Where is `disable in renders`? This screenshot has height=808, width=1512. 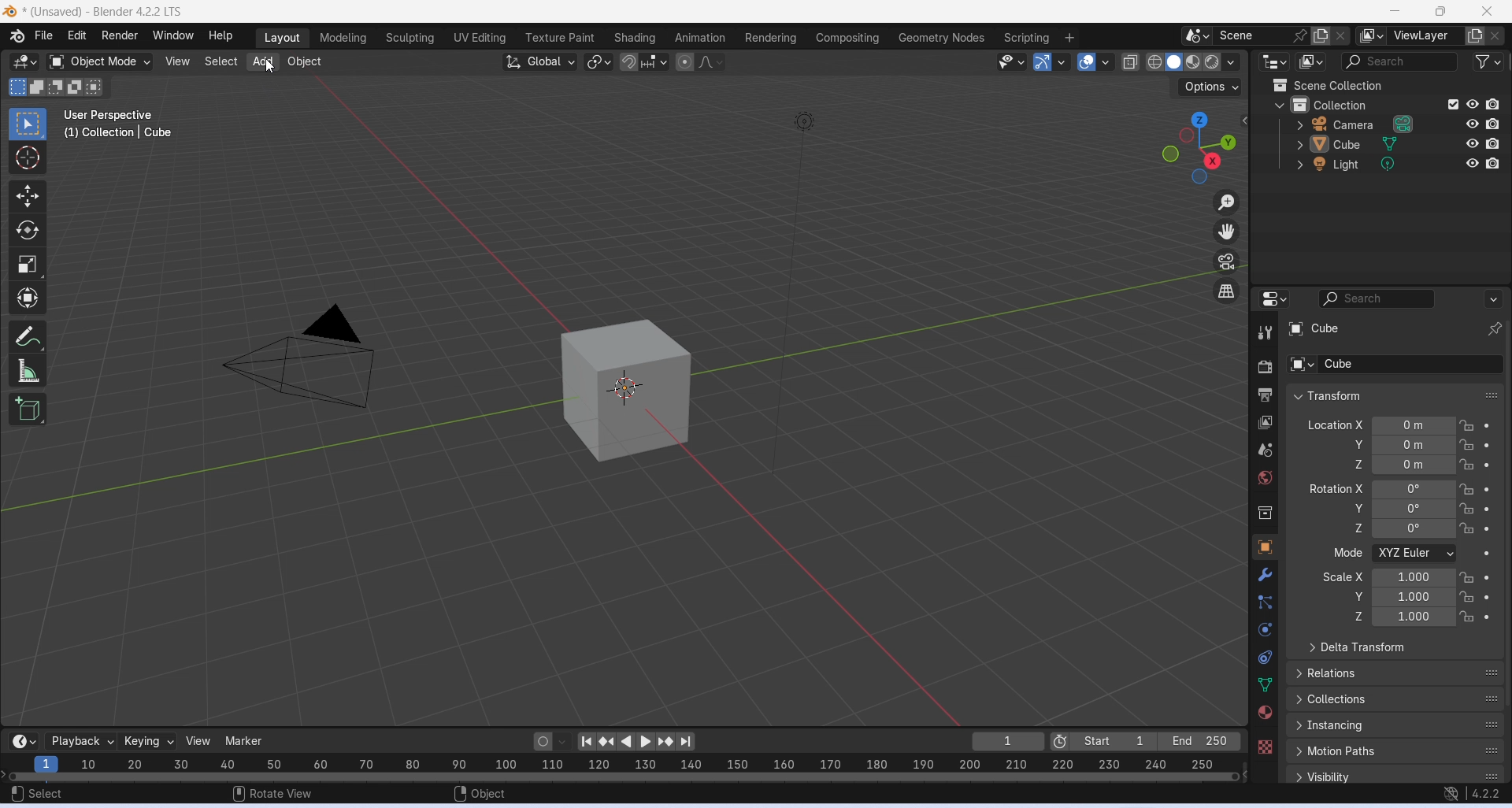
disable in renders is located at coordinates (1492, 143).